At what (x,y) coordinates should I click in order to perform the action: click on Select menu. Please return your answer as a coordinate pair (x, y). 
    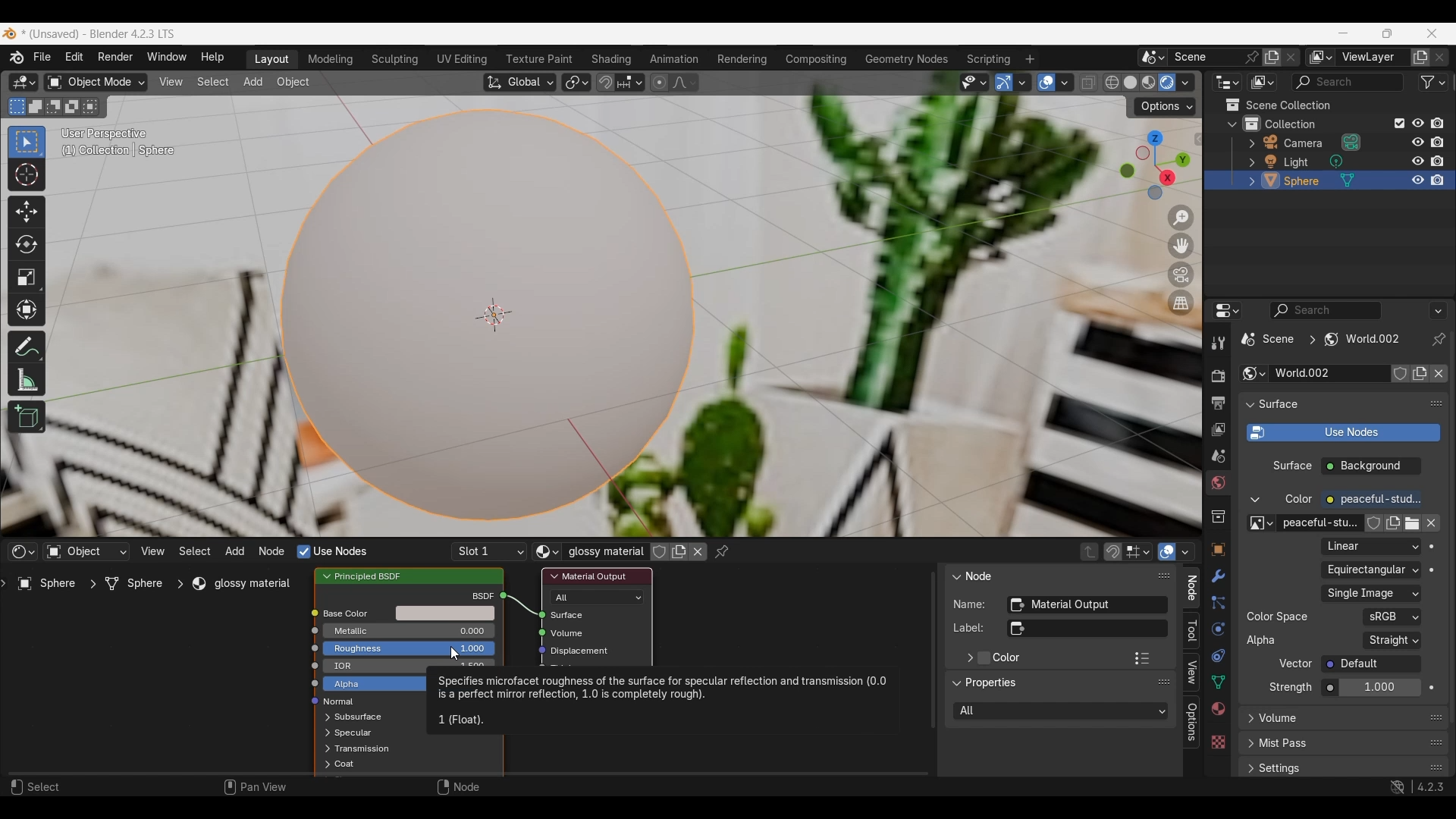
    Looking at the image, I should click on (194, 551).